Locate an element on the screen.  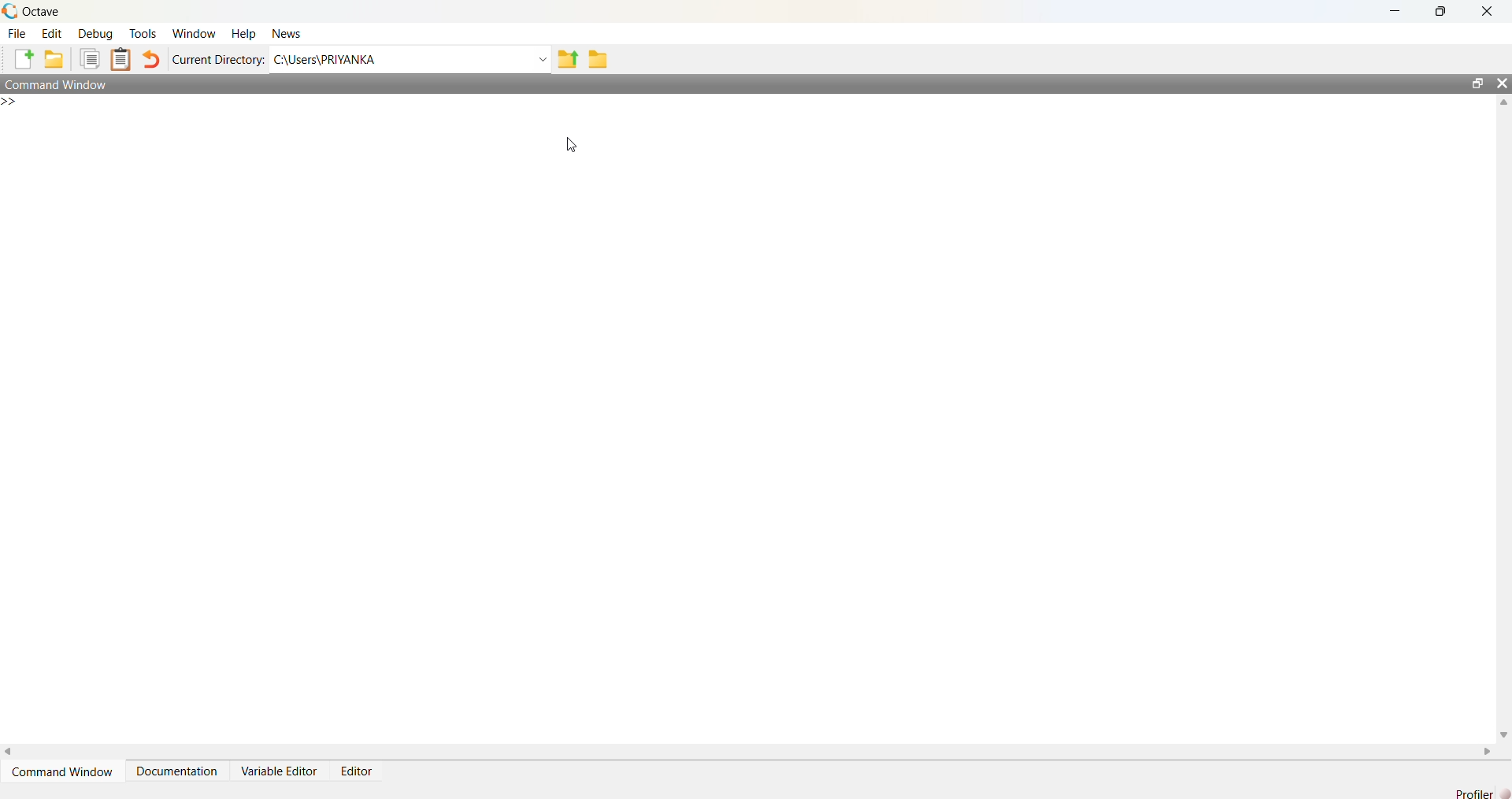
New script is located at coordinates (24, 59).